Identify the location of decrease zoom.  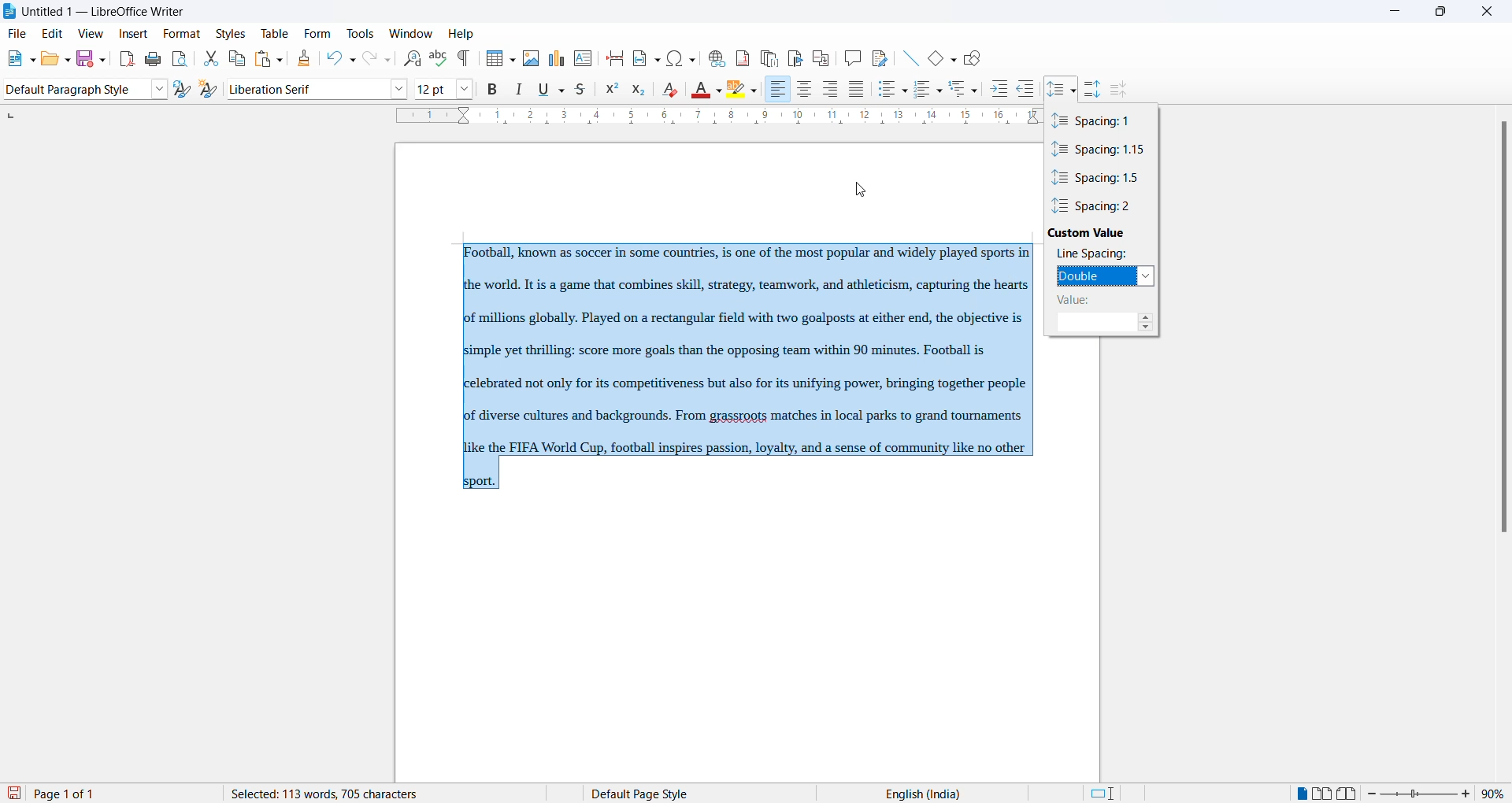
(1373, 794).